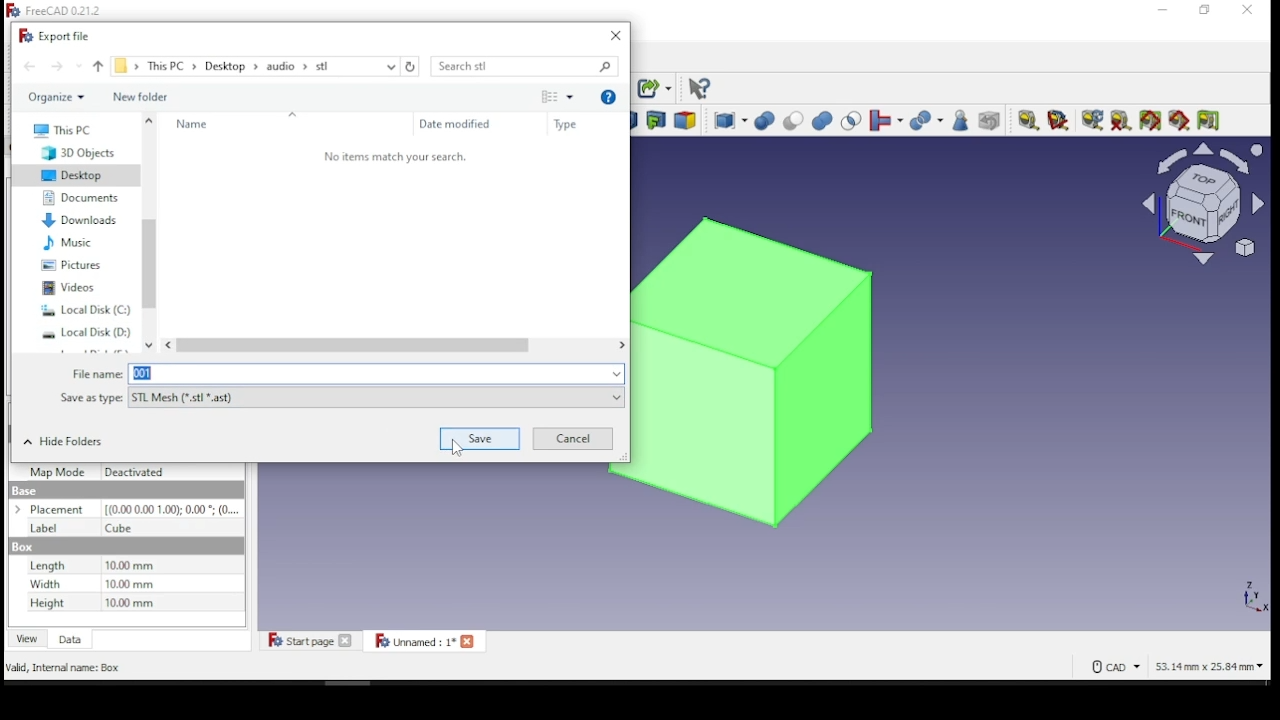 The width and height of the screenshot is (1280, 720). Describe the element at coordinates (1058, 121) in the screenshot. I see `measure angular` at that location.